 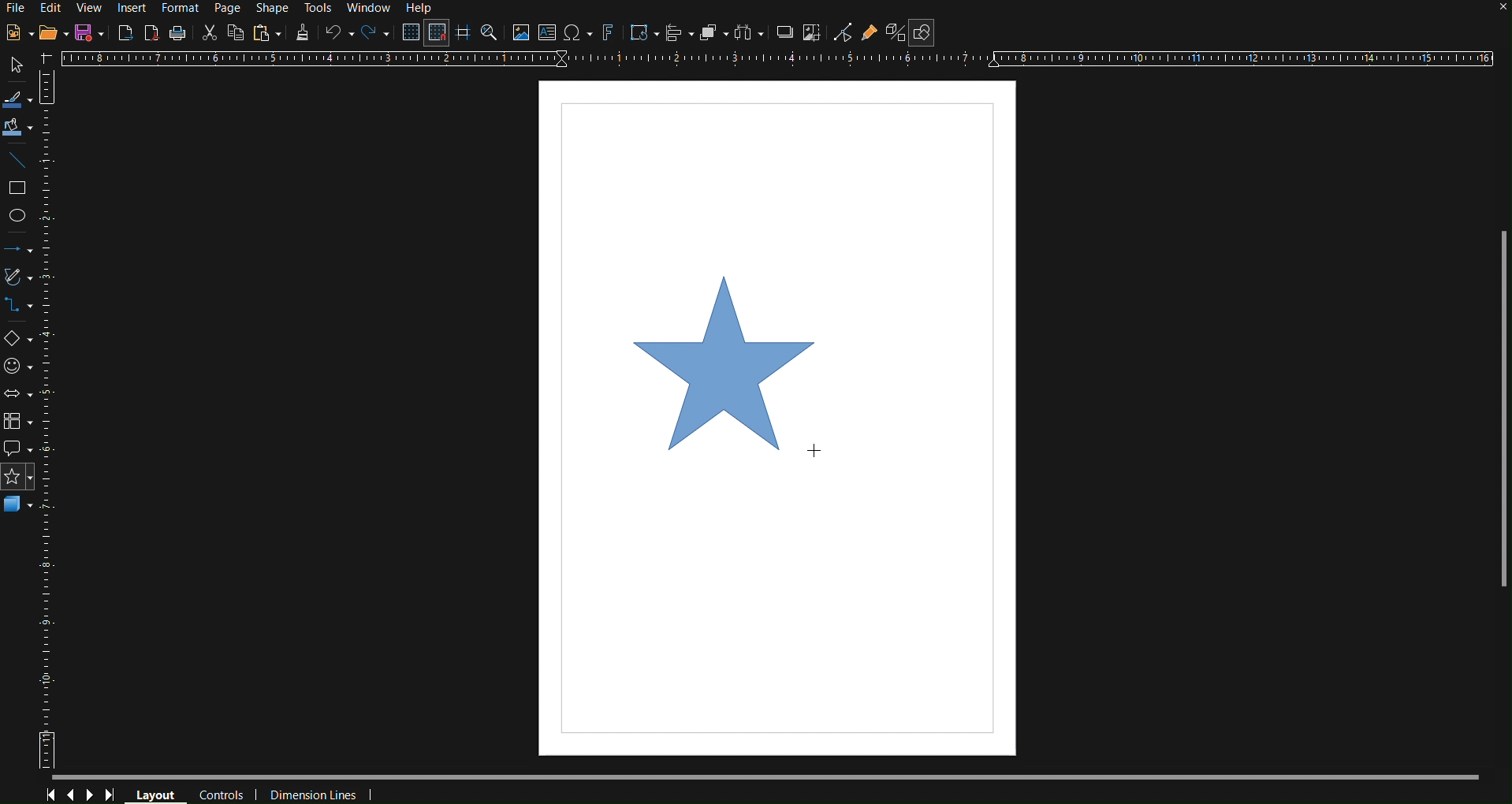 I want to click on Transformations, so click(x=642, y=34).